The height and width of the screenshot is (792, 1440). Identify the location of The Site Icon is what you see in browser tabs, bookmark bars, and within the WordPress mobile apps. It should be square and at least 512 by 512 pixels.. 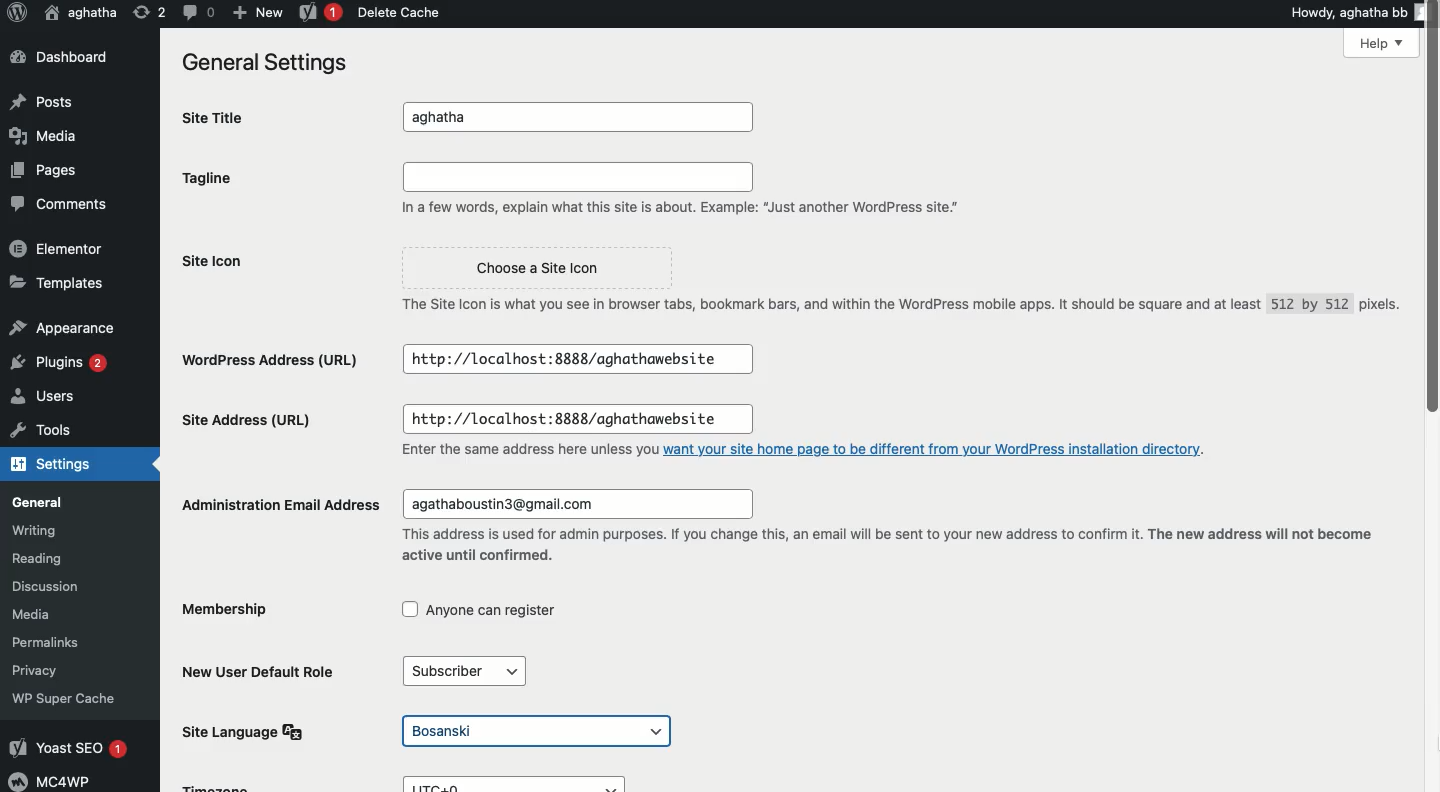
(894, 311).